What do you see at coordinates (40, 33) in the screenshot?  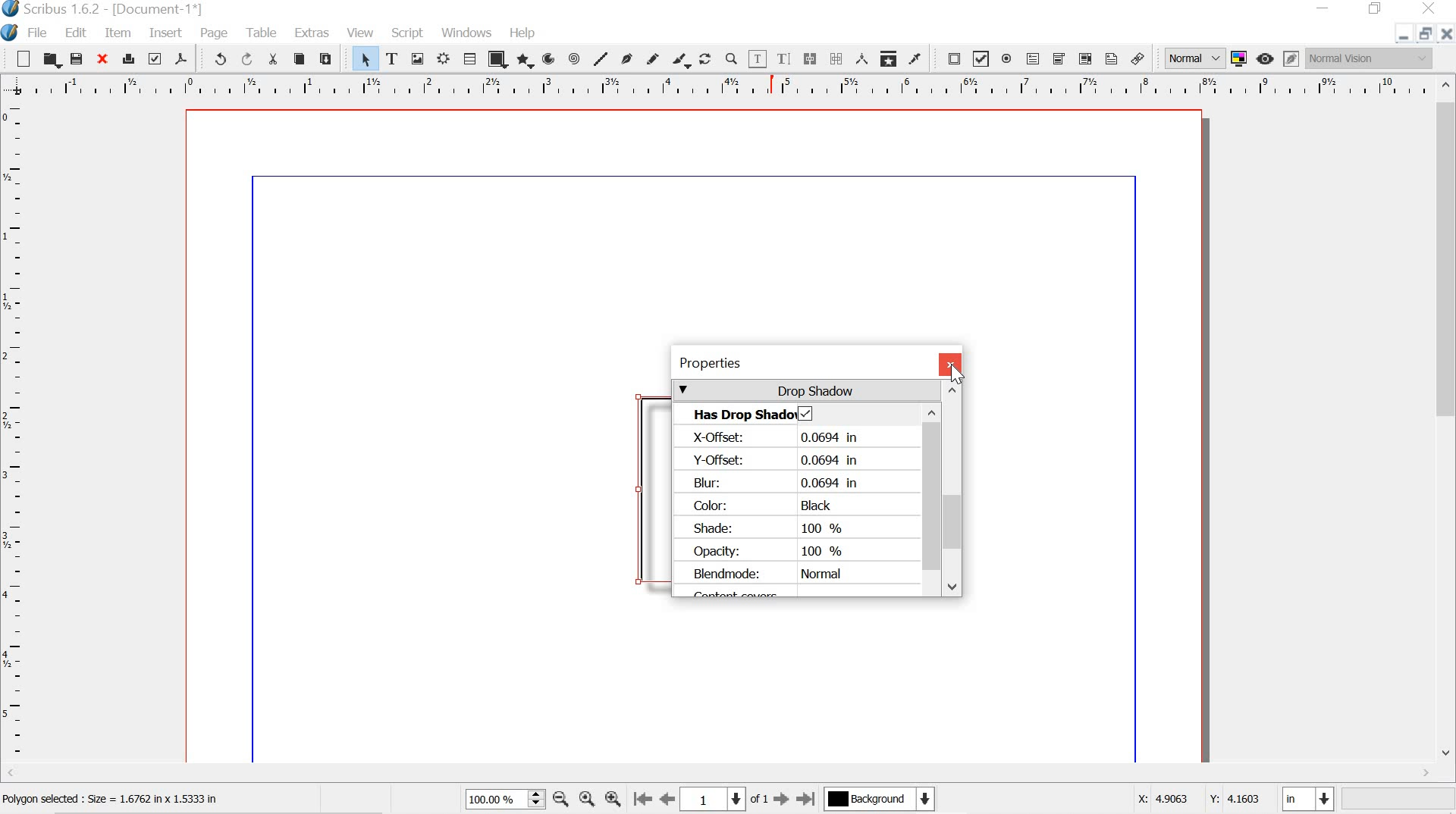 I see `FILE` at bounding box center [40, 33].